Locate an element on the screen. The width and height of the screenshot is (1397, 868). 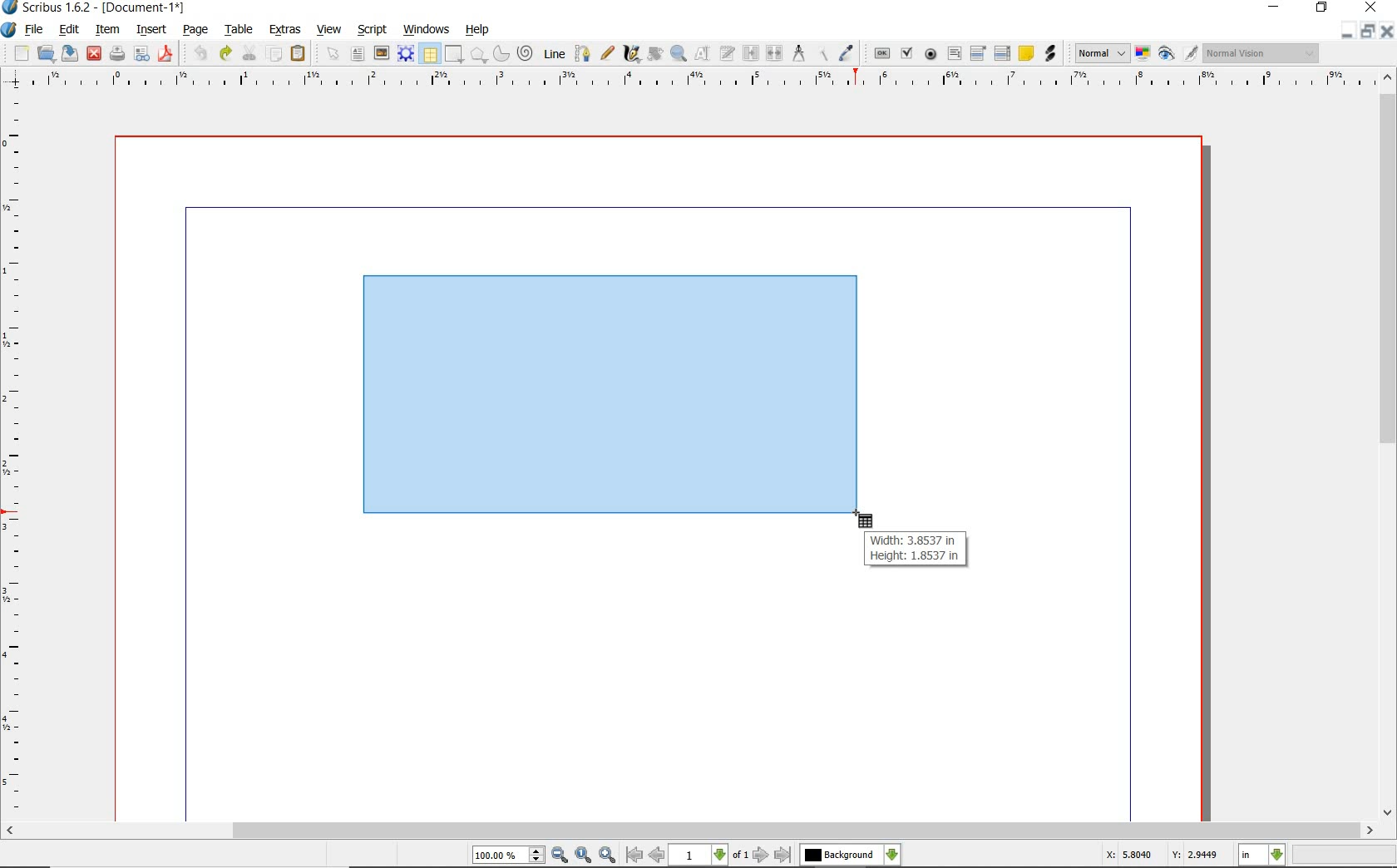
render frame is located at coordinates (406, 52).